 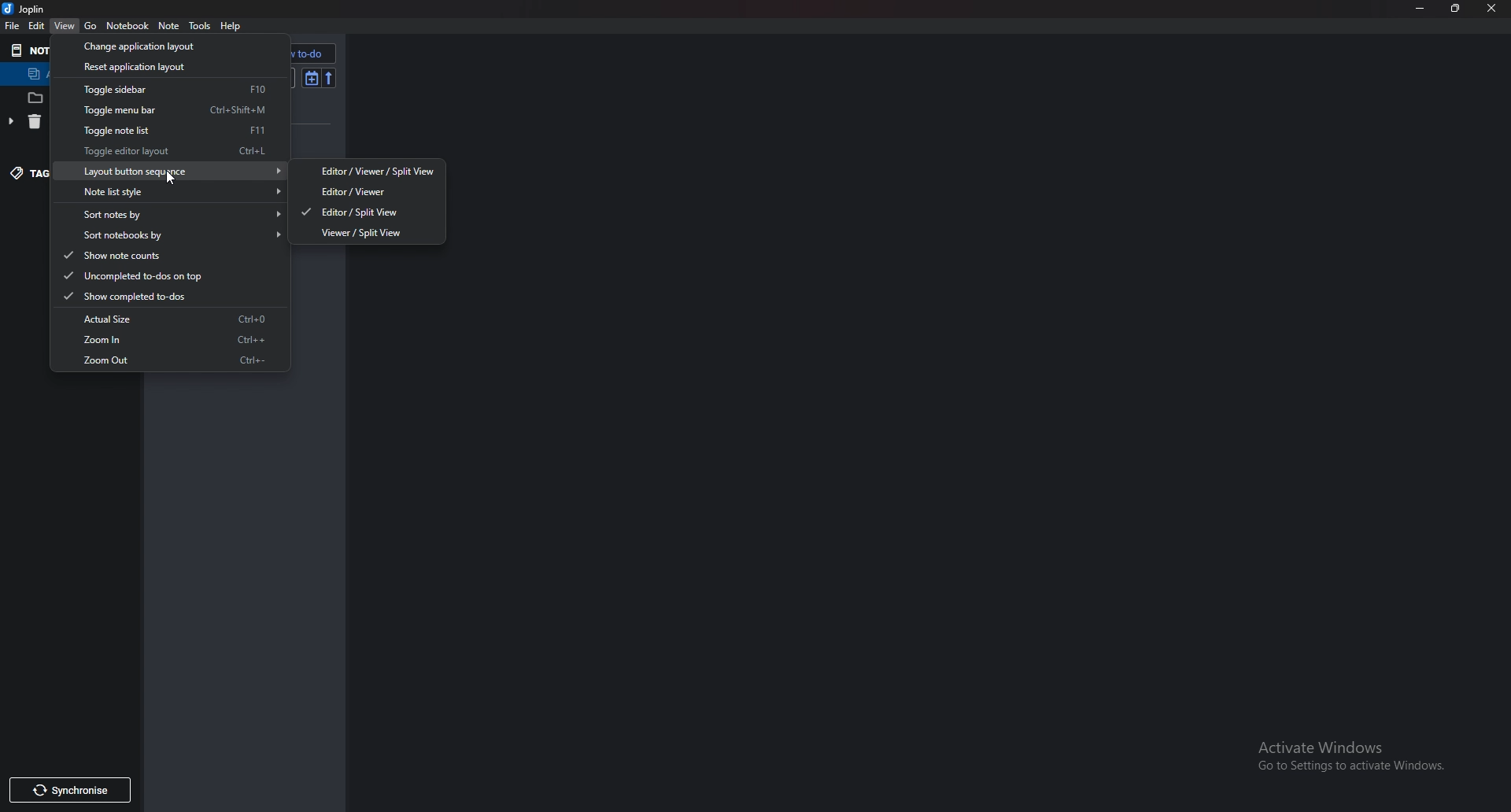 What do you see at coordinates (1455, 7) in the screenshot?
I see `Restore down` at bounding box center [1455, 7].